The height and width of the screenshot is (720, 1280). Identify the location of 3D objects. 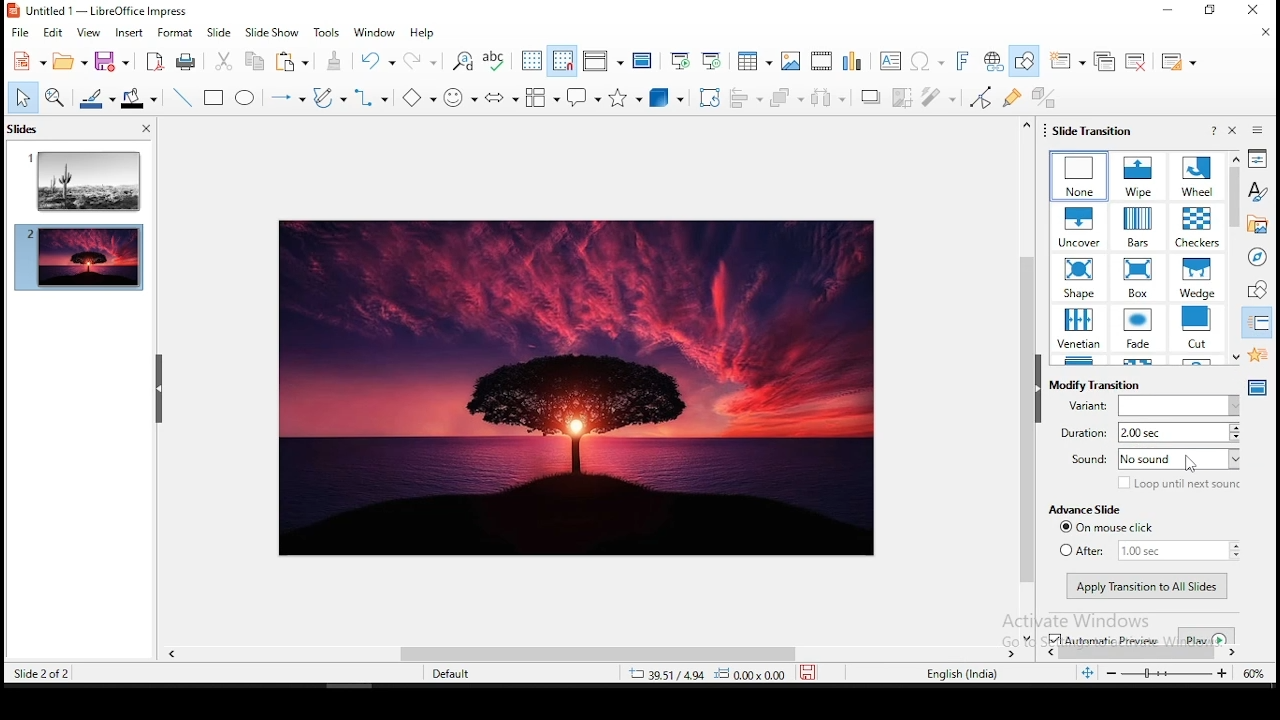
(664, 99).